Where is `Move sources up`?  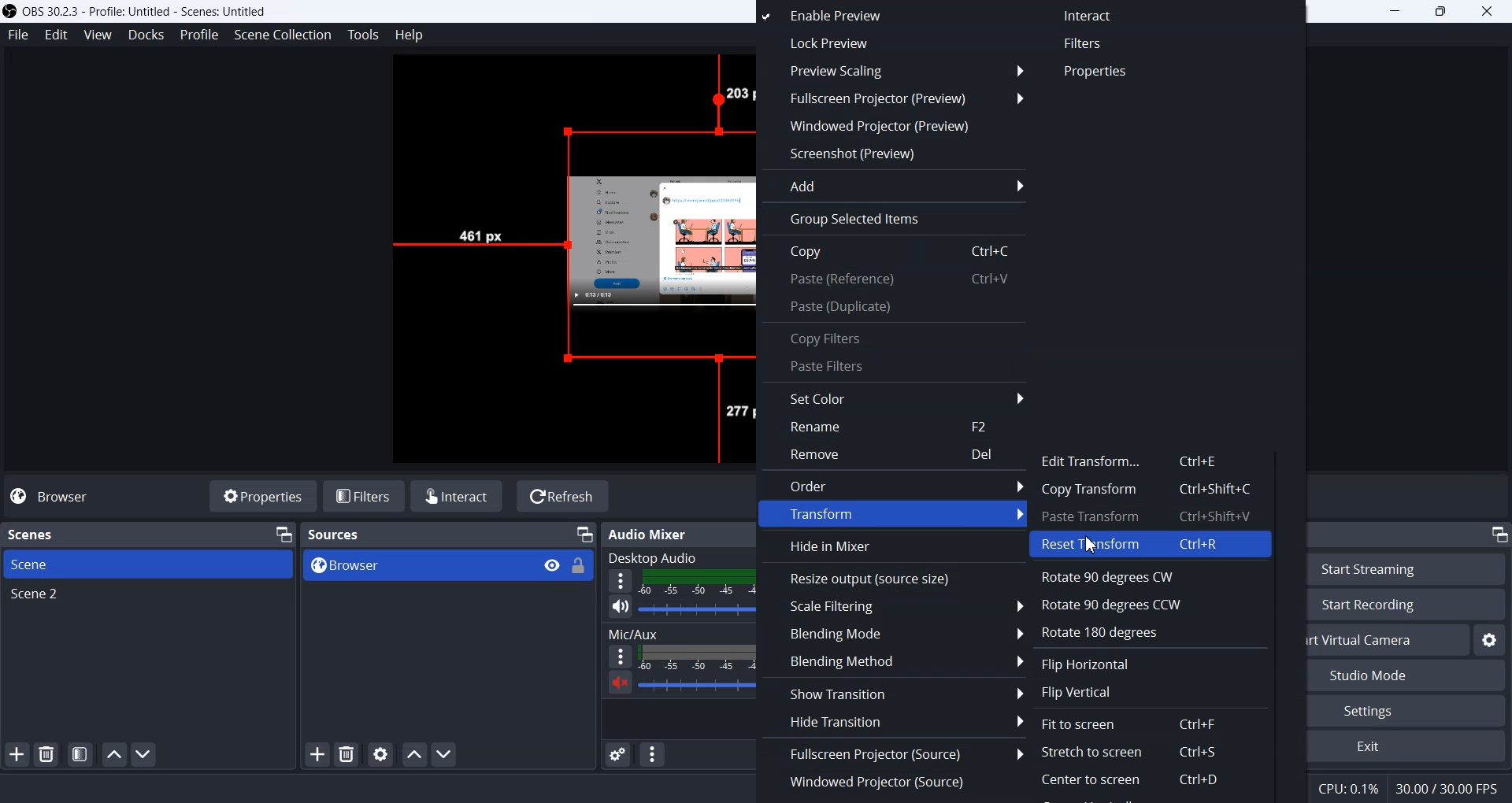 Move sources up is located at coordinates (413, 753).